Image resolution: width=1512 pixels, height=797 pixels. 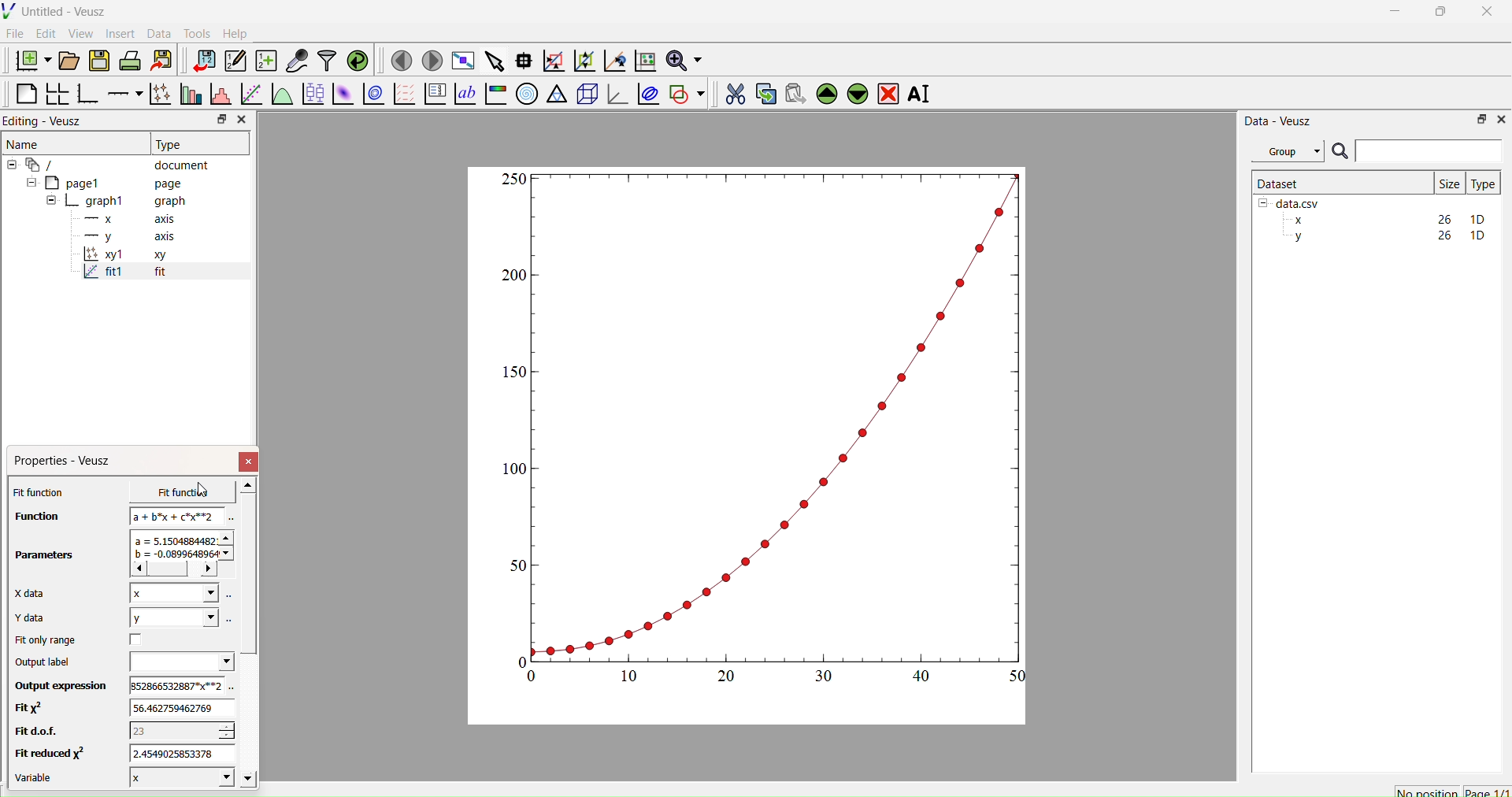 I want to click on Cursor, so click(x=204, y=491).